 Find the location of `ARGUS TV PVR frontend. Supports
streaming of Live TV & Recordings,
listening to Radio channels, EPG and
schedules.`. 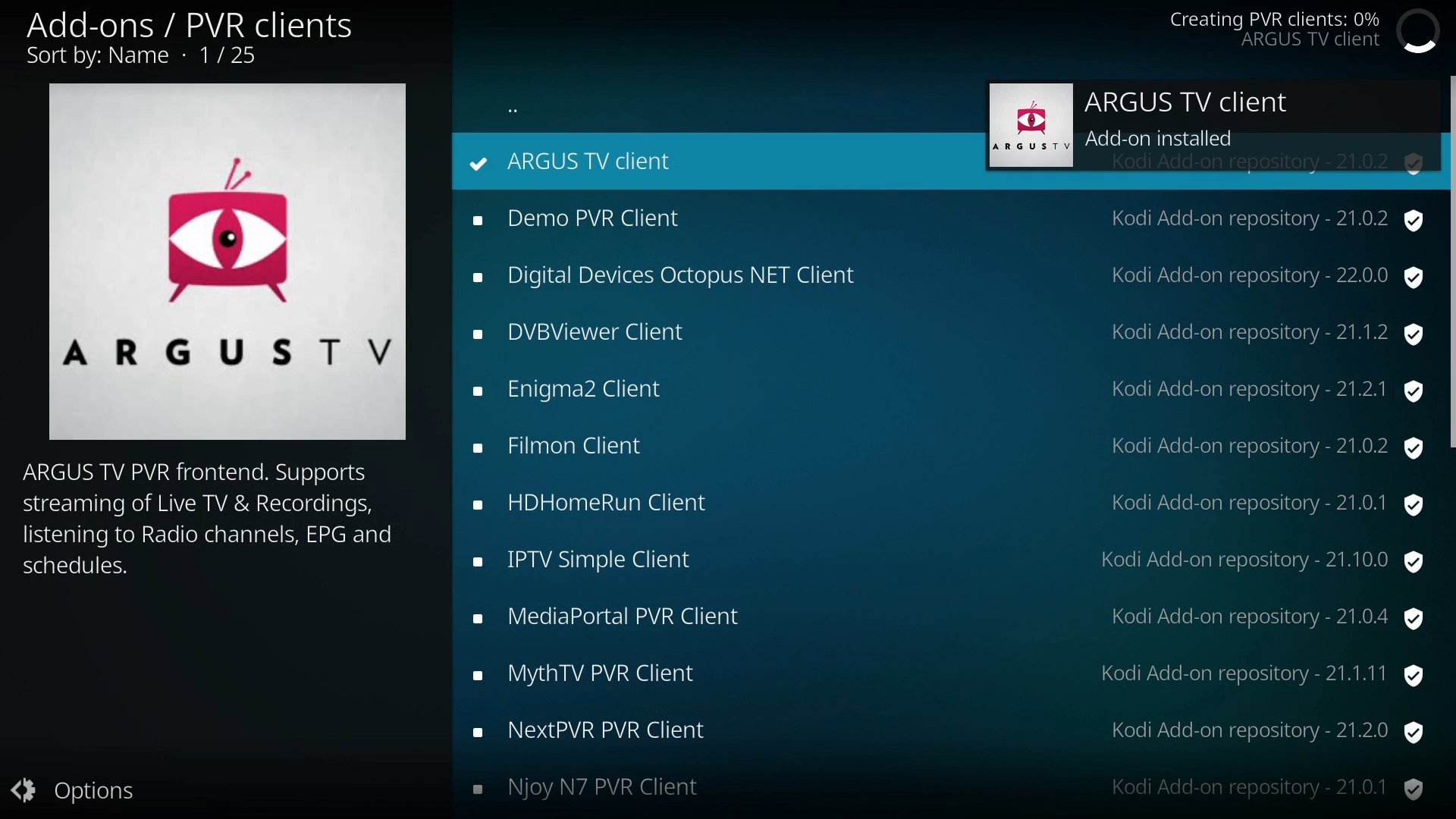

ARGUS TV PVR frontend. Supports
streaming of Live TV & Recordings,
listening to Radio channels, EPG and
schedules. is located at coordinates (206, 522).